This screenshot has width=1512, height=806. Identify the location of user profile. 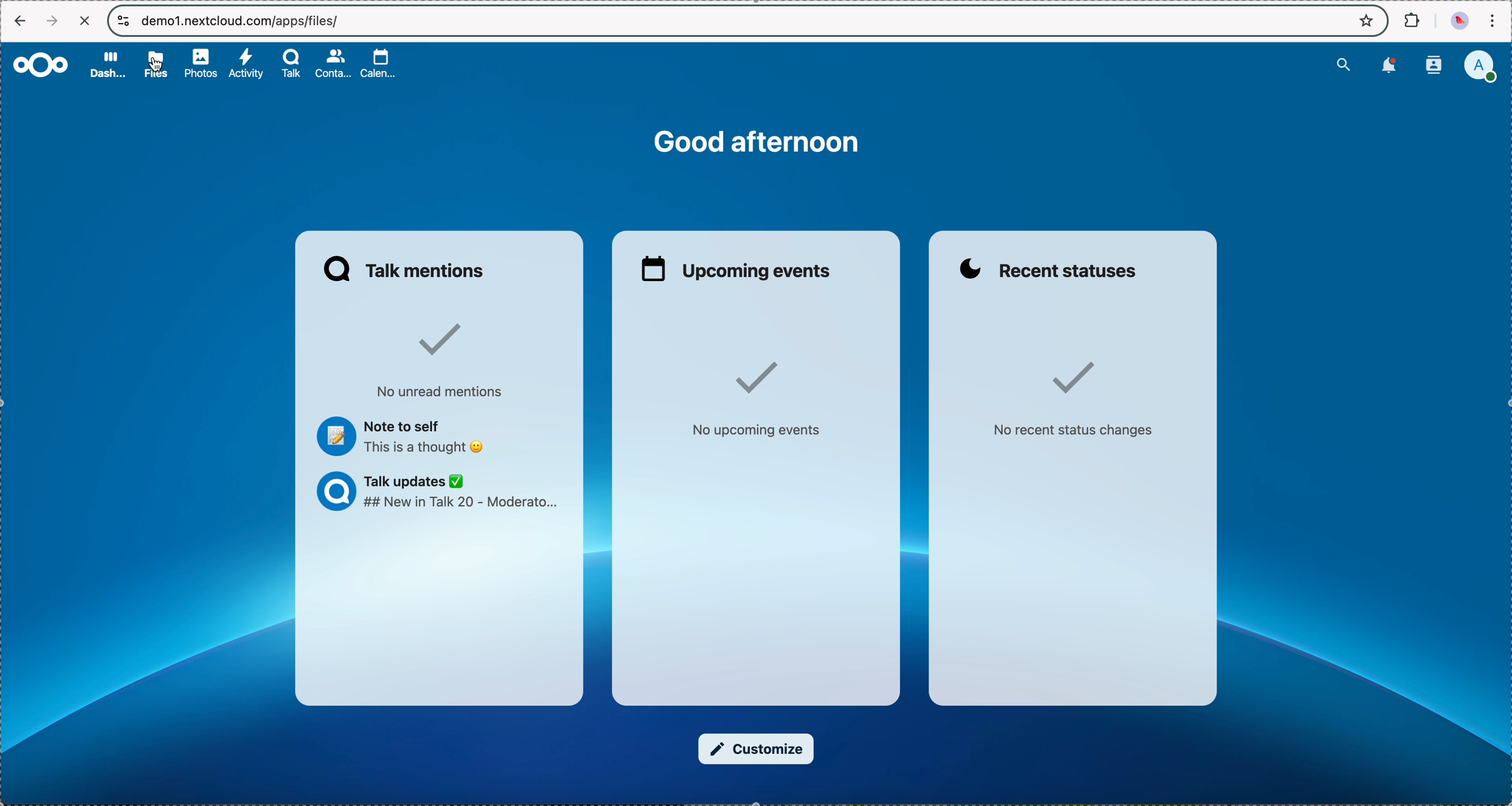
(1486, 66).